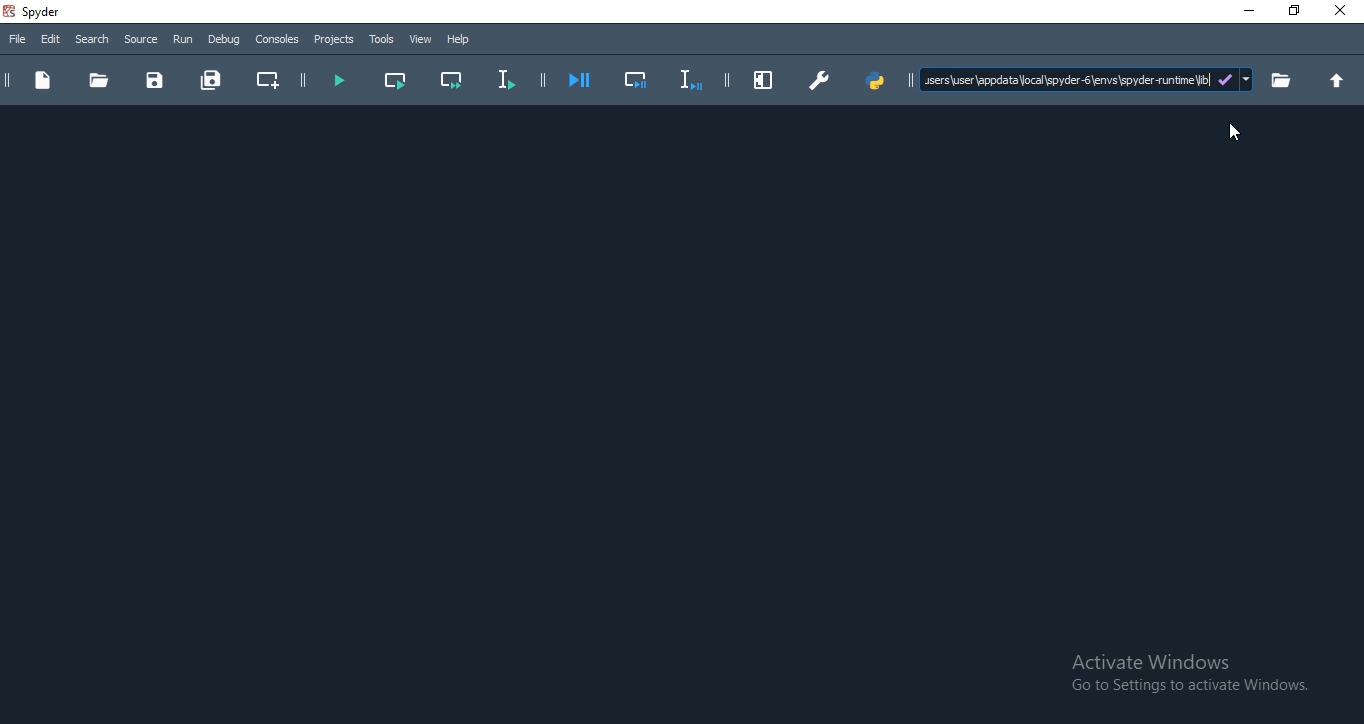 This screenshot has width=1364, height=724. I want to click on file, so click(19, 41).